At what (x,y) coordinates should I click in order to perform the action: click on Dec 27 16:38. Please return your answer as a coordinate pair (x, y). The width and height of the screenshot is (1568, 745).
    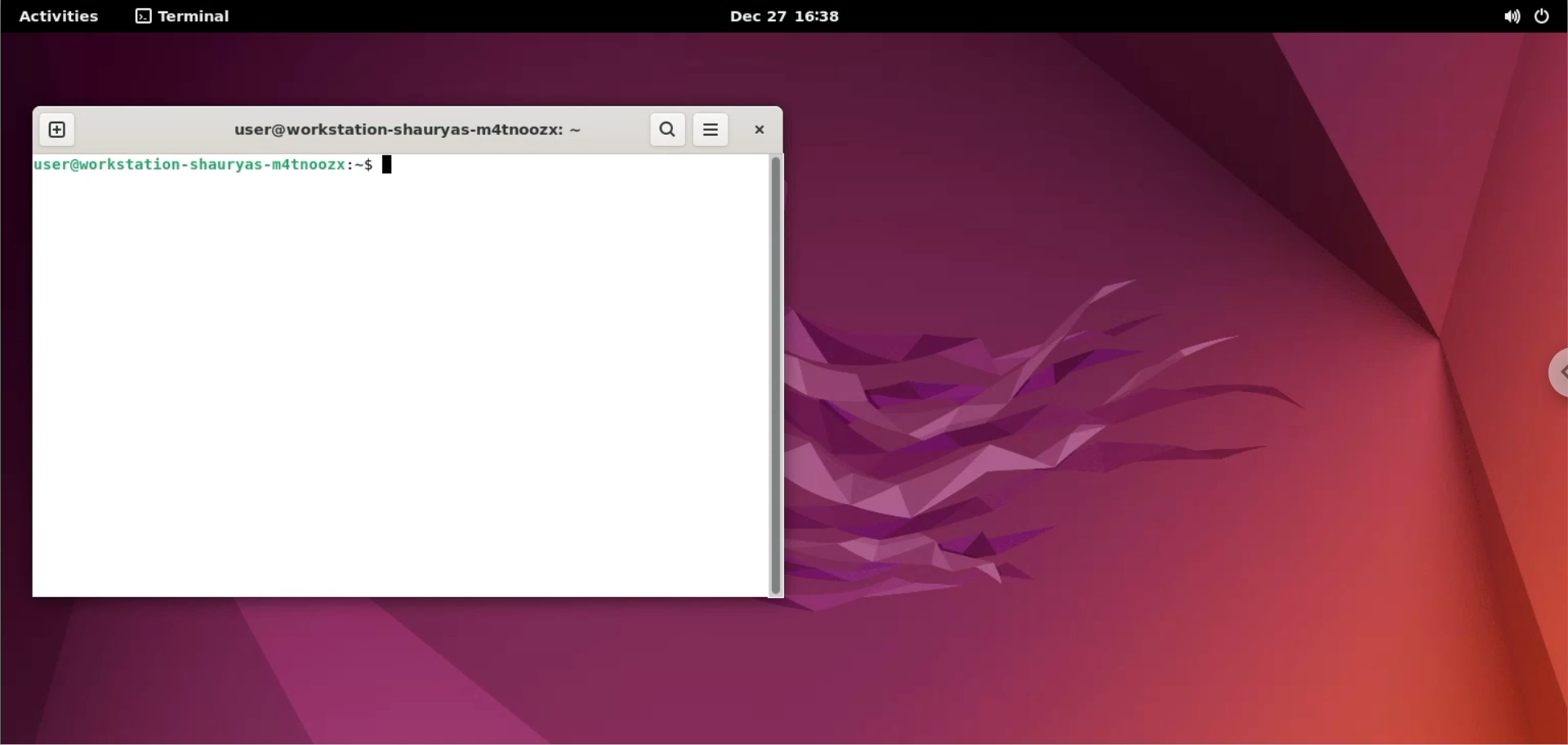
    Looking at the image, I should click on (806, 17).